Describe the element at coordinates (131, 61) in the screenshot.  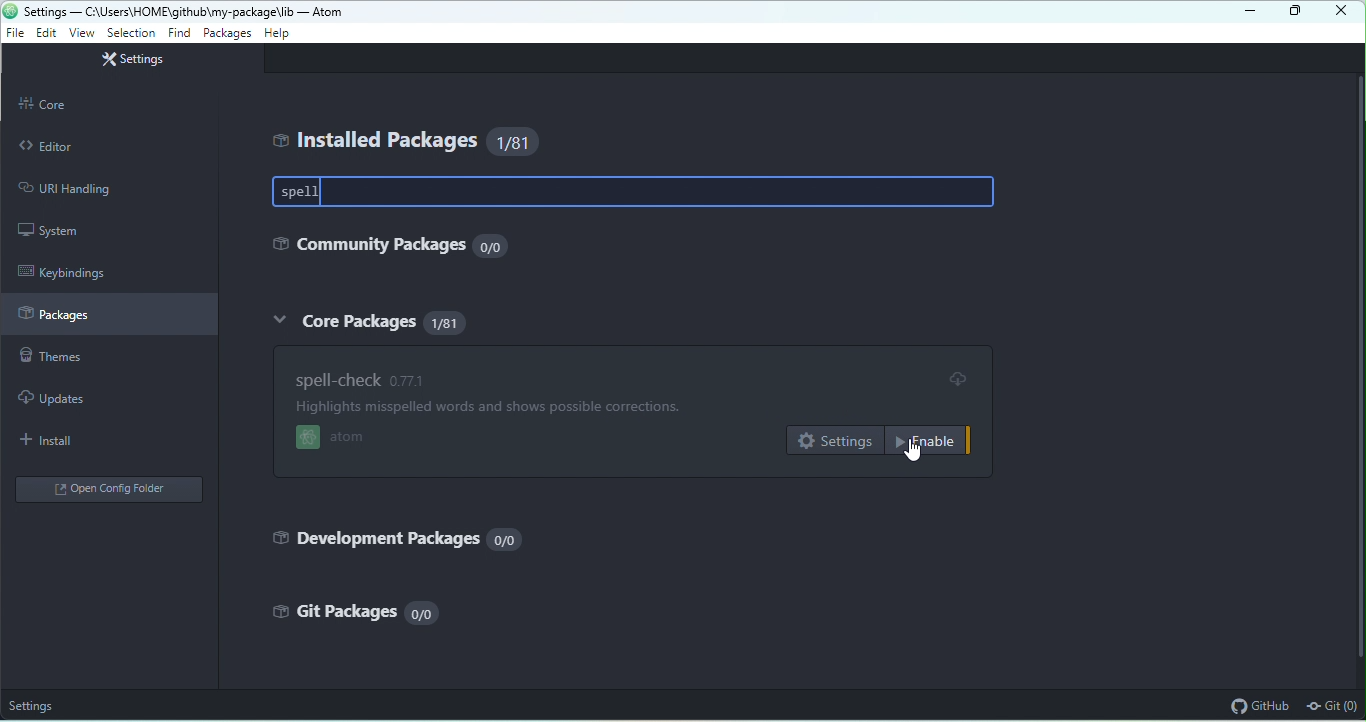
I see `settings` at that location.